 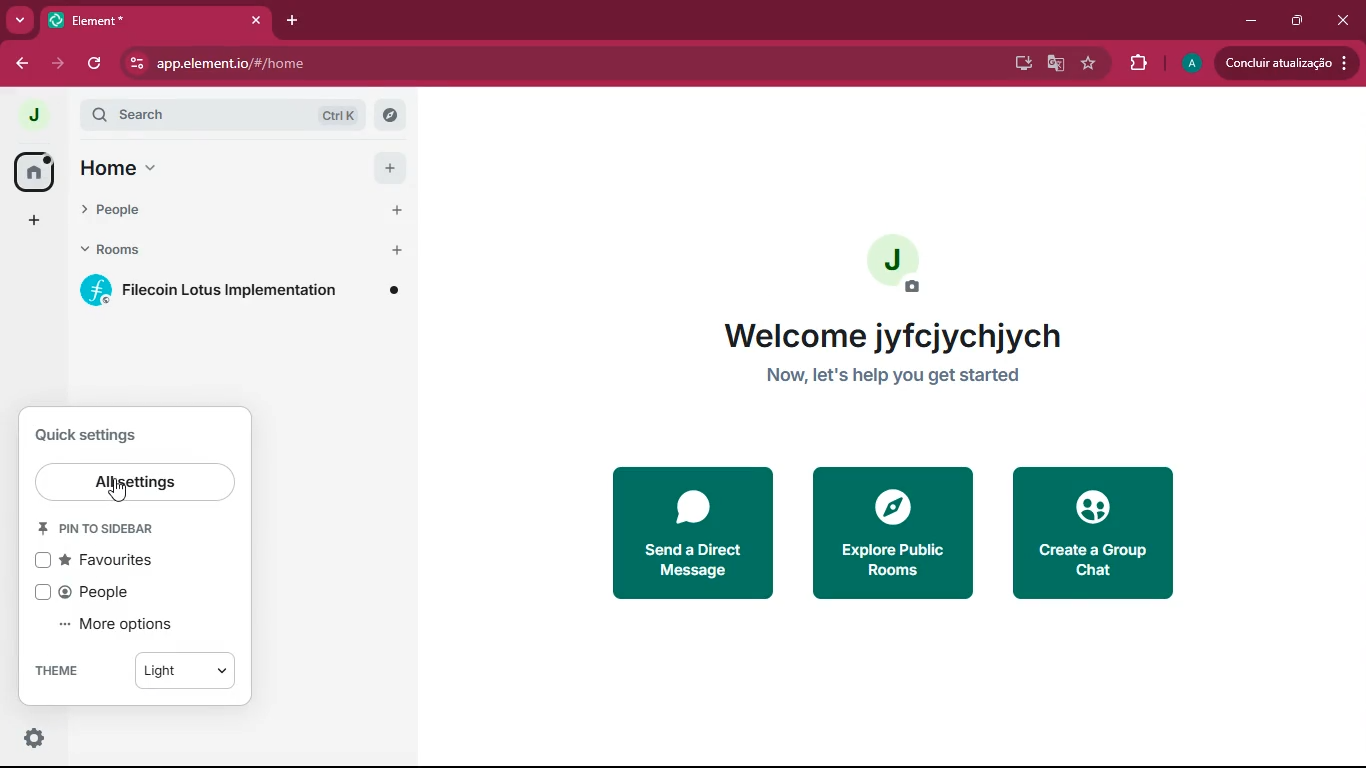 What do you see at coordinates (894, 531) in the screenshot?
I see `explore public rooms` at bounding box center [894, 531].